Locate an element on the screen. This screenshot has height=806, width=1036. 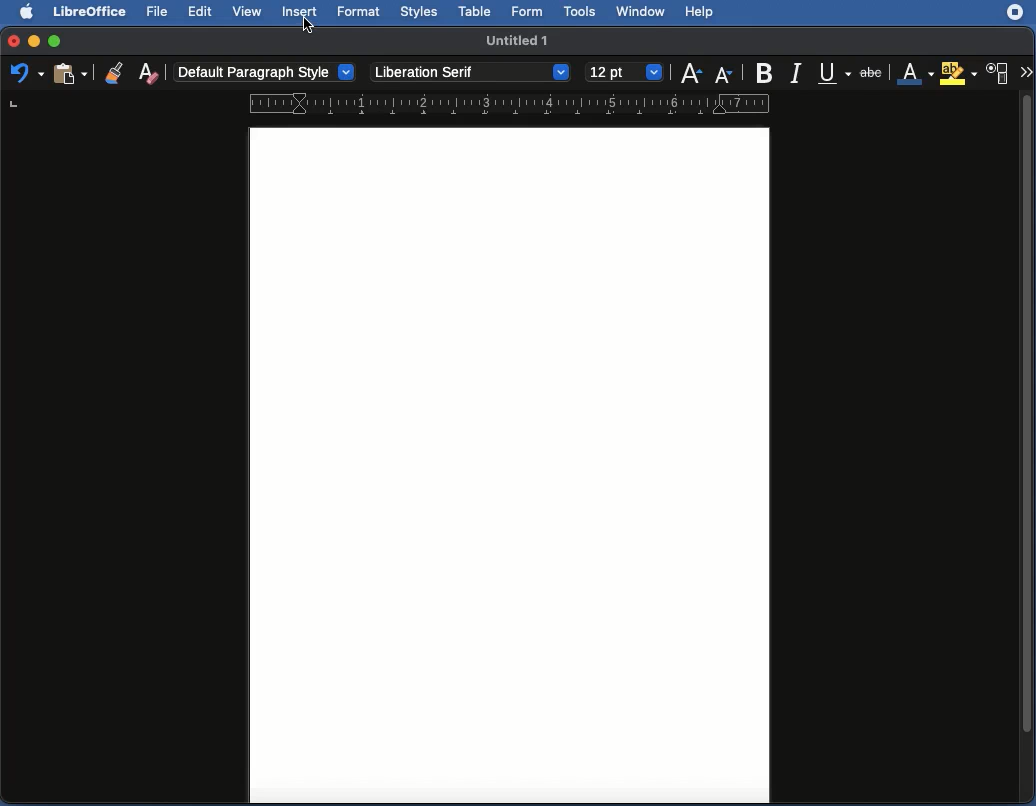
Tools is located at coordinates (581, 12).